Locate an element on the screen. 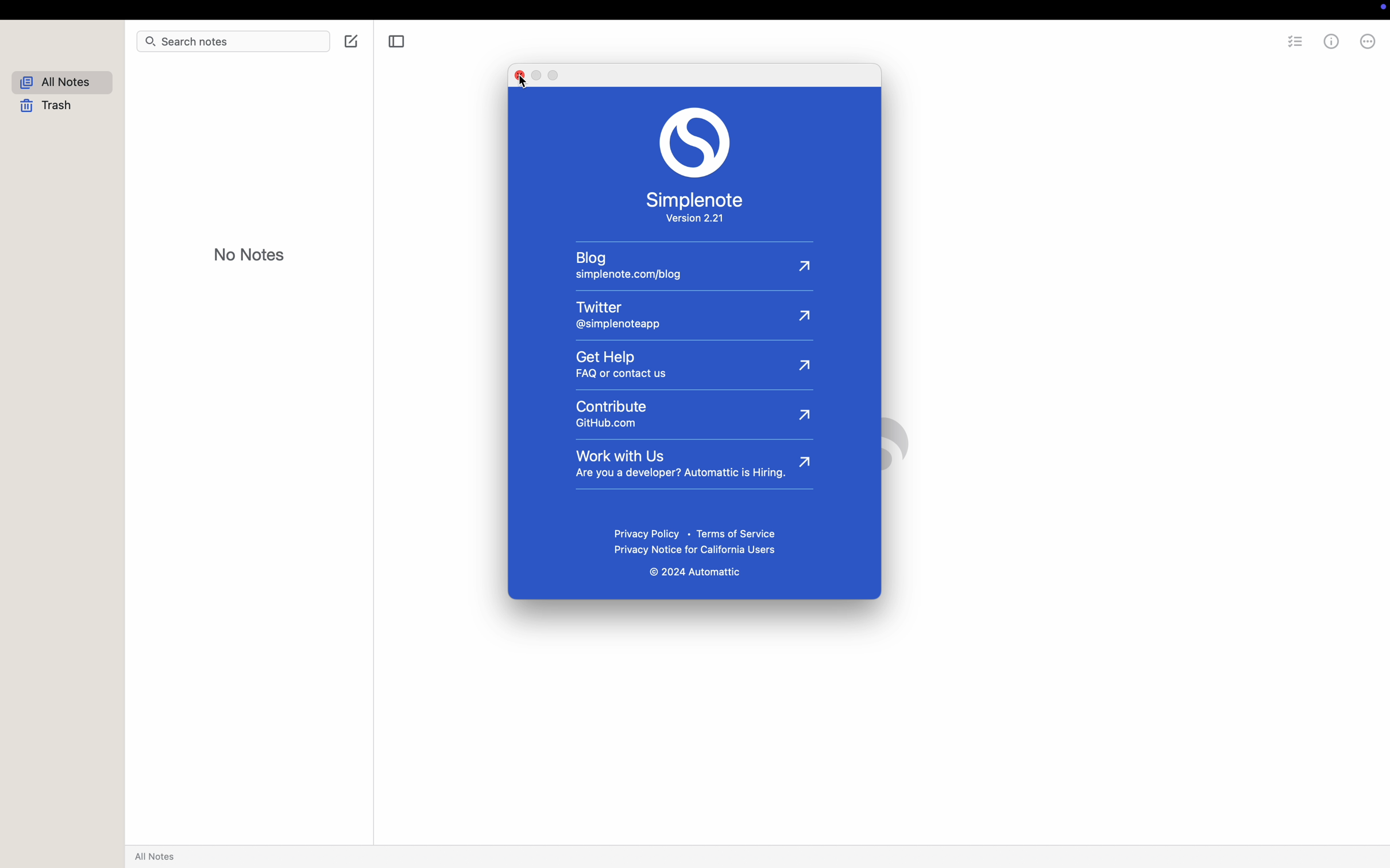 The width and height of the screenshot is (1390, 868). blog is located at coordinates (688, 268).